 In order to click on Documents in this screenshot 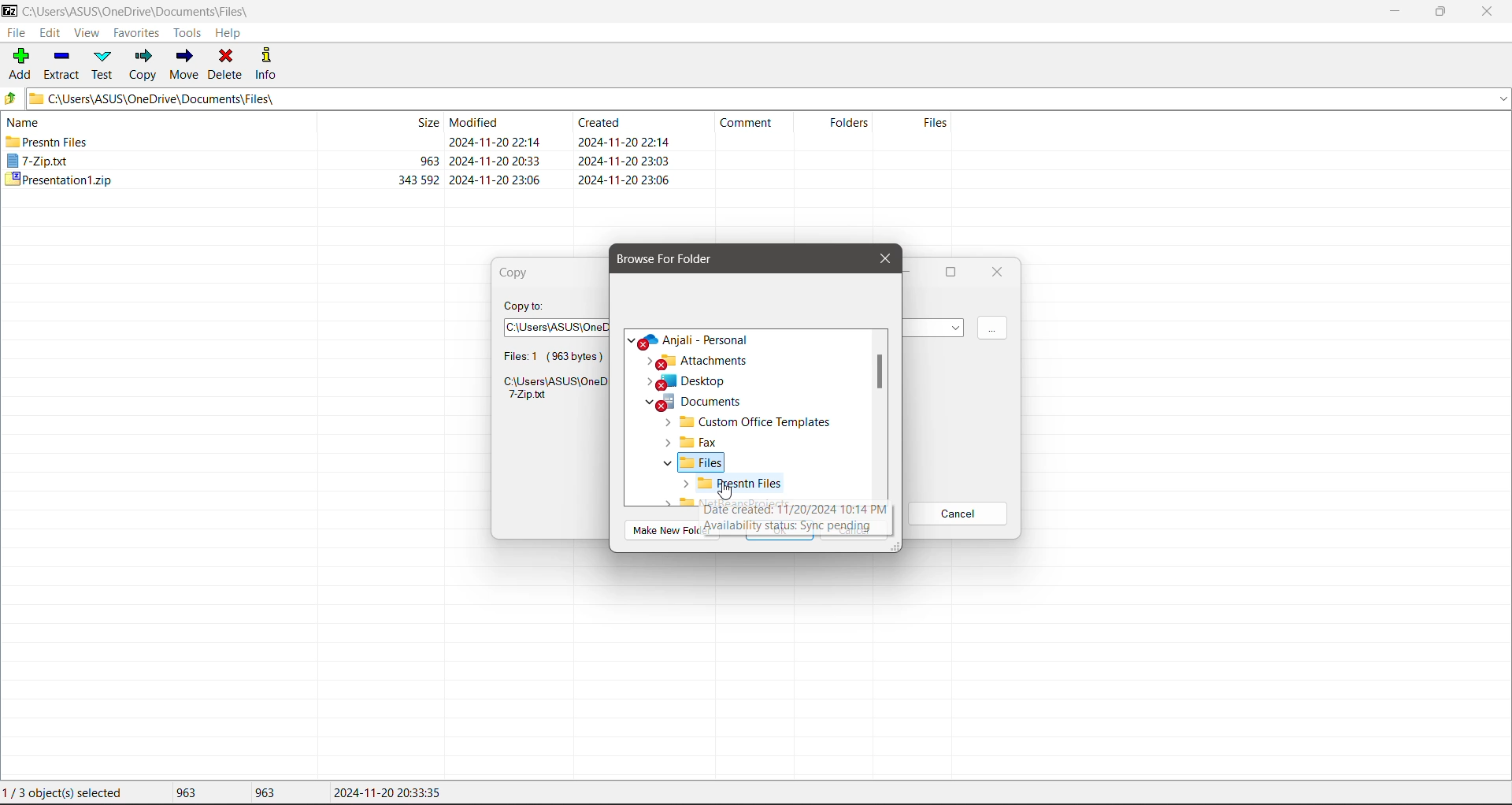, I will do `click(701, 402)`.